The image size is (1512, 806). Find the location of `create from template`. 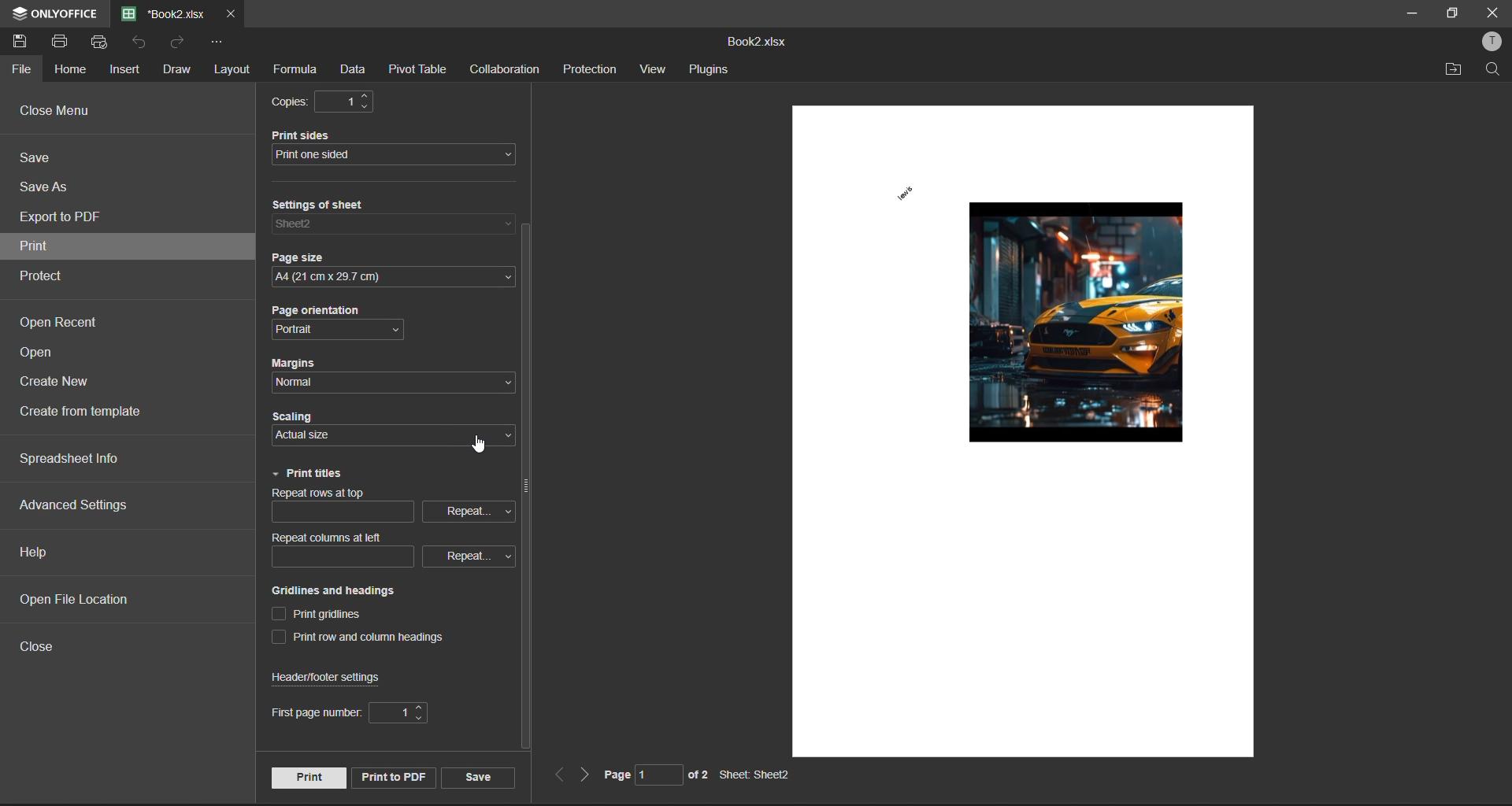

create from template is located at coordinates (93, 414).